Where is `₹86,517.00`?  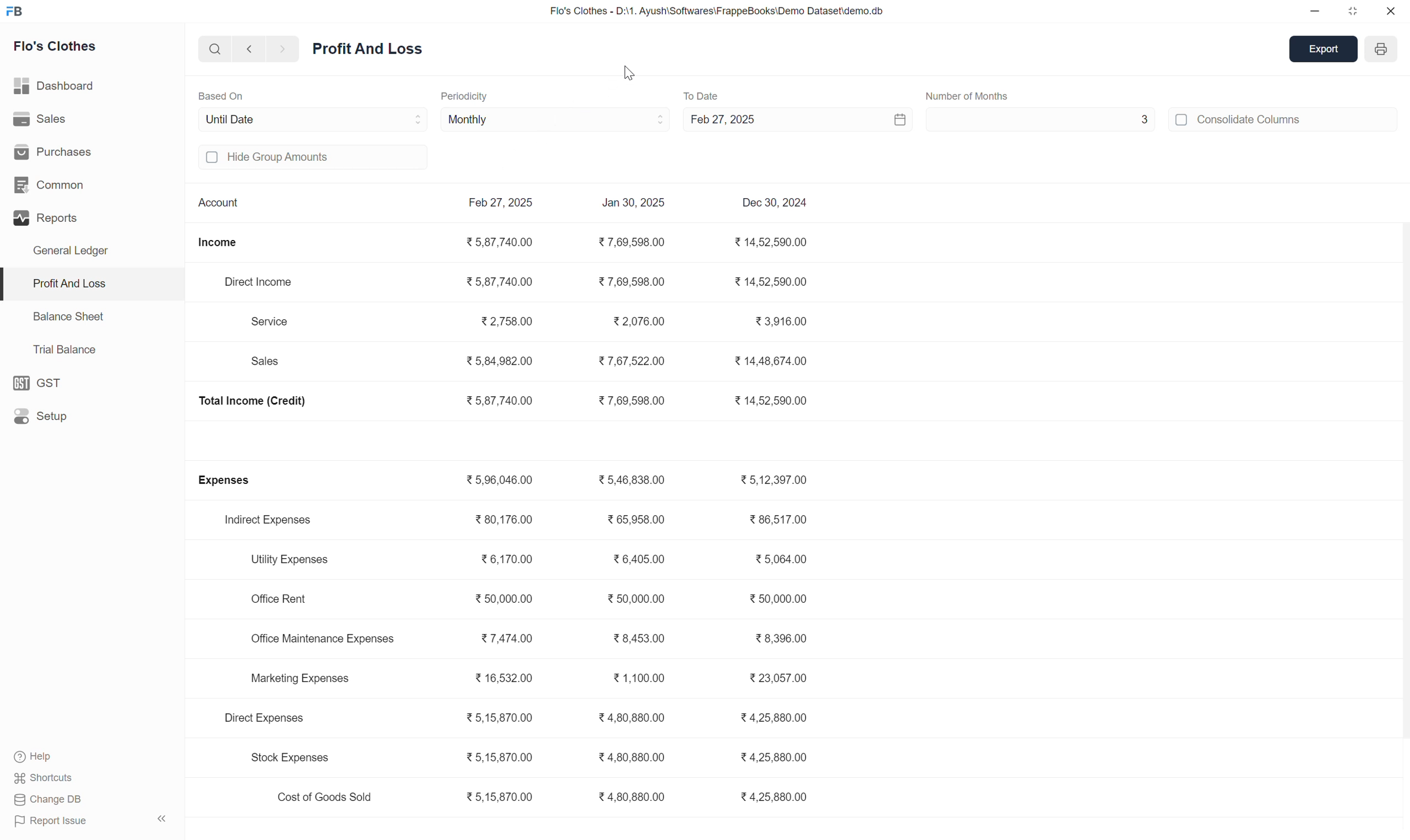 ₹86,517.00 is located at coordinates (780, 520).